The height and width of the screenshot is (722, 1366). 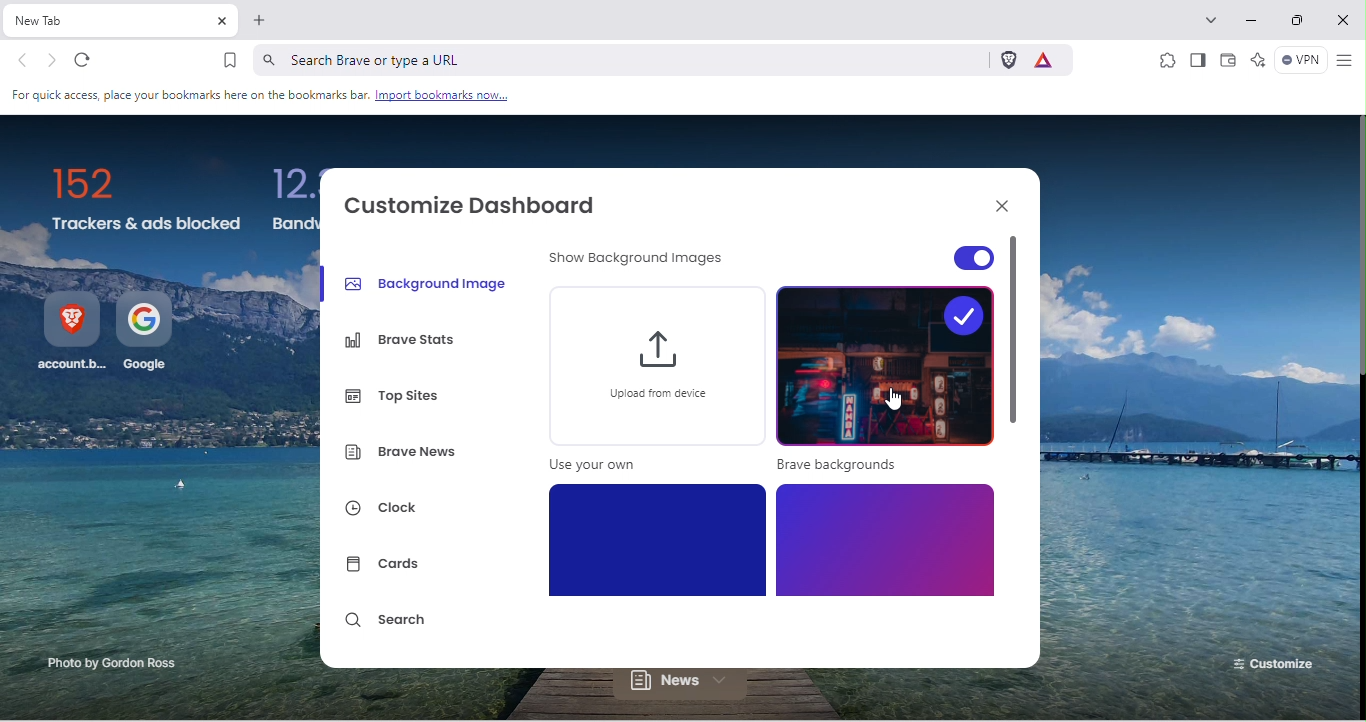 I want to click on Cursor, so click(x=892, y=393).